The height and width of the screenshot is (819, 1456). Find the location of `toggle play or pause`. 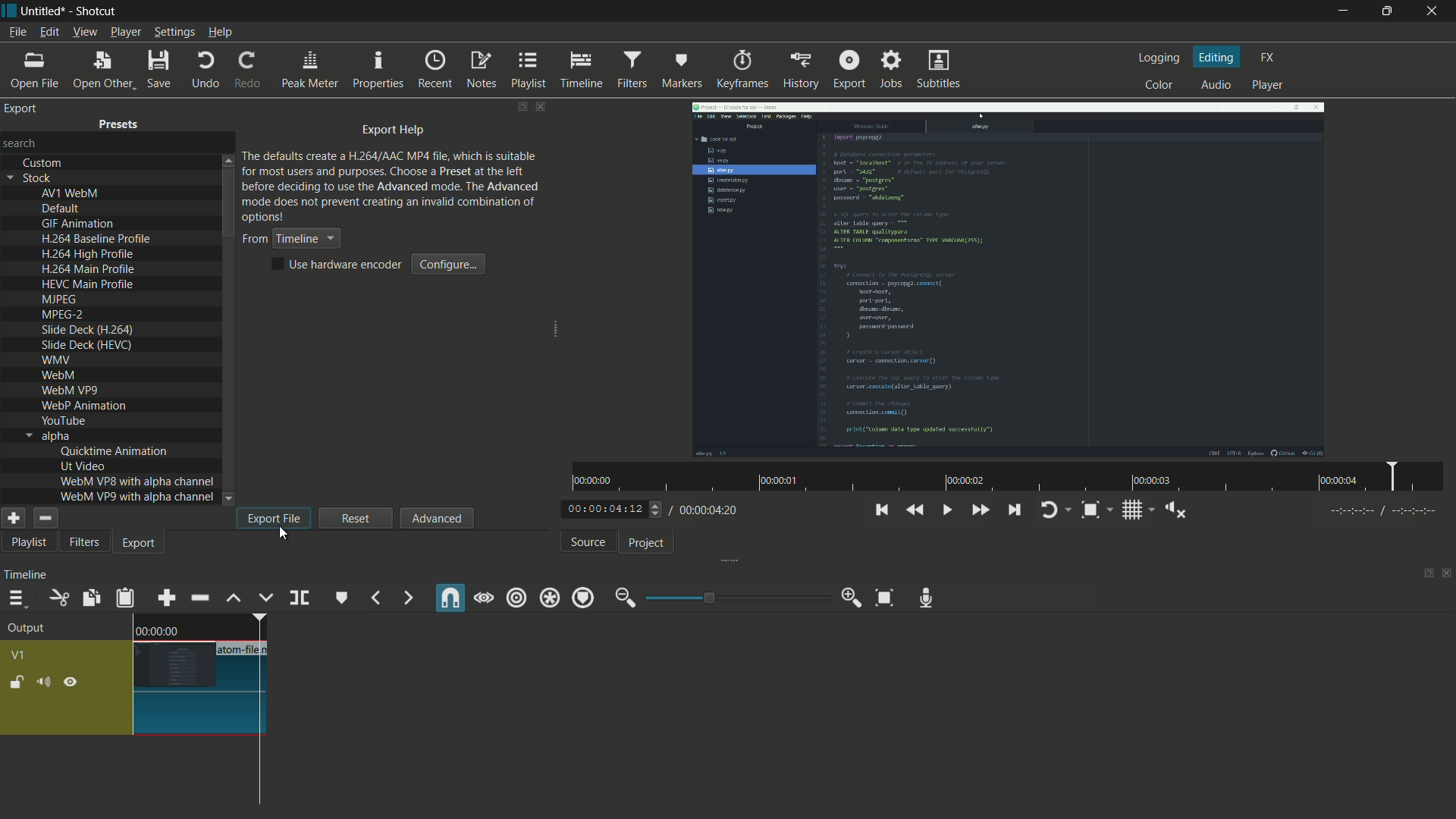

toggle play or pause is located at coordinates (948, 510).